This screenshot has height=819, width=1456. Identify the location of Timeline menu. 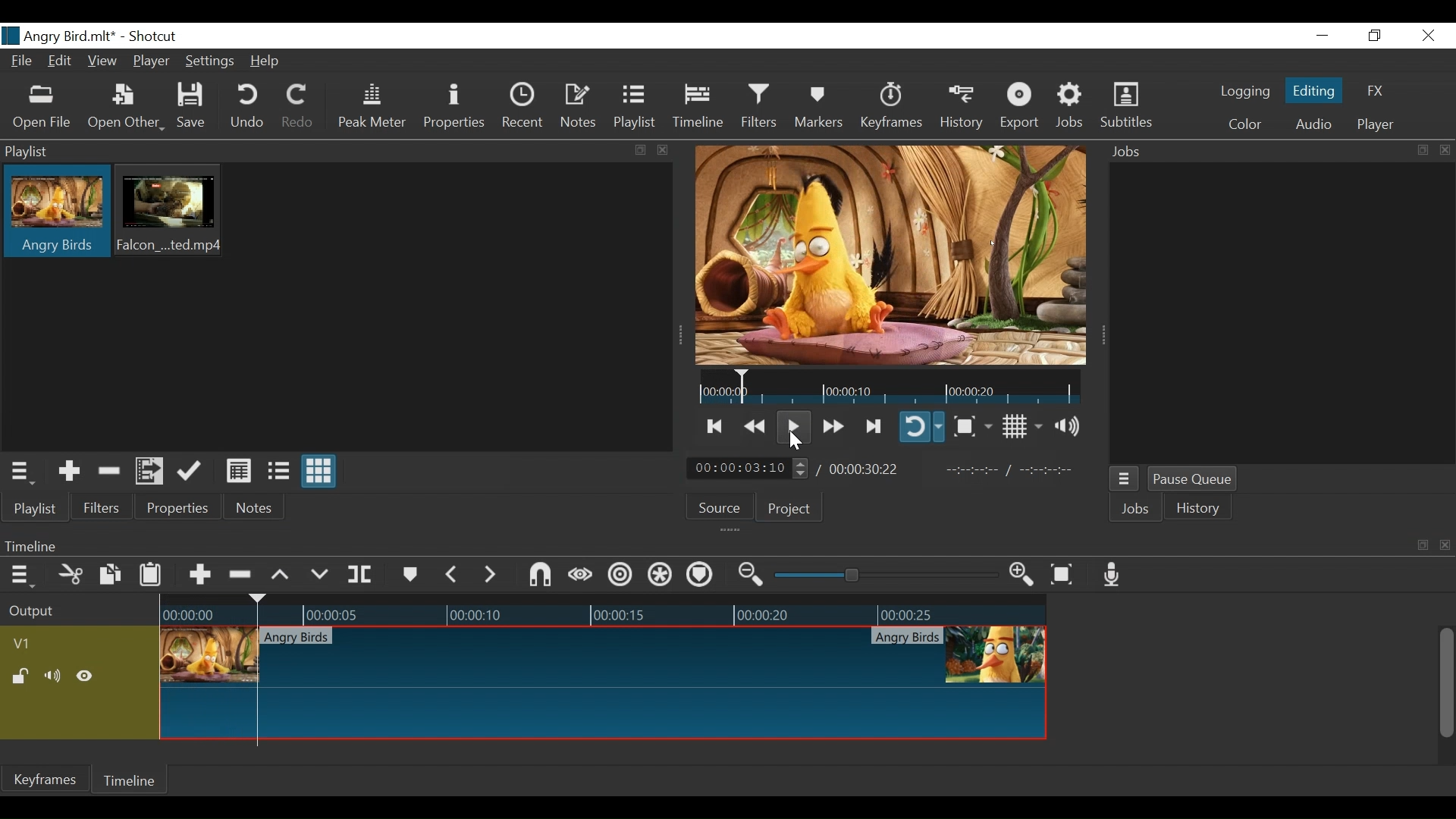
(20, 576).